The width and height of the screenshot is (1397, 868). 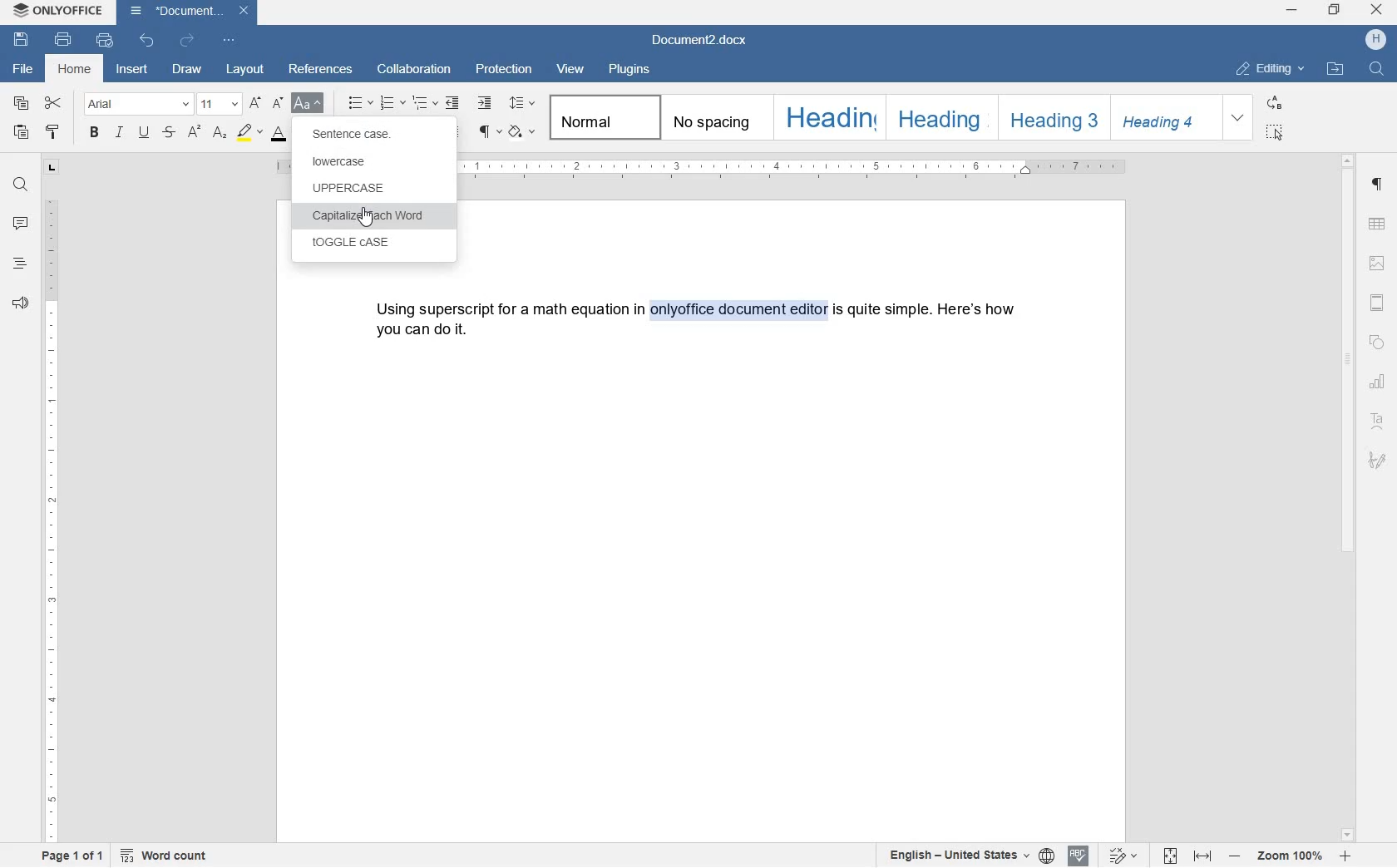 I want to click on insert, so click(x=135, y=68).